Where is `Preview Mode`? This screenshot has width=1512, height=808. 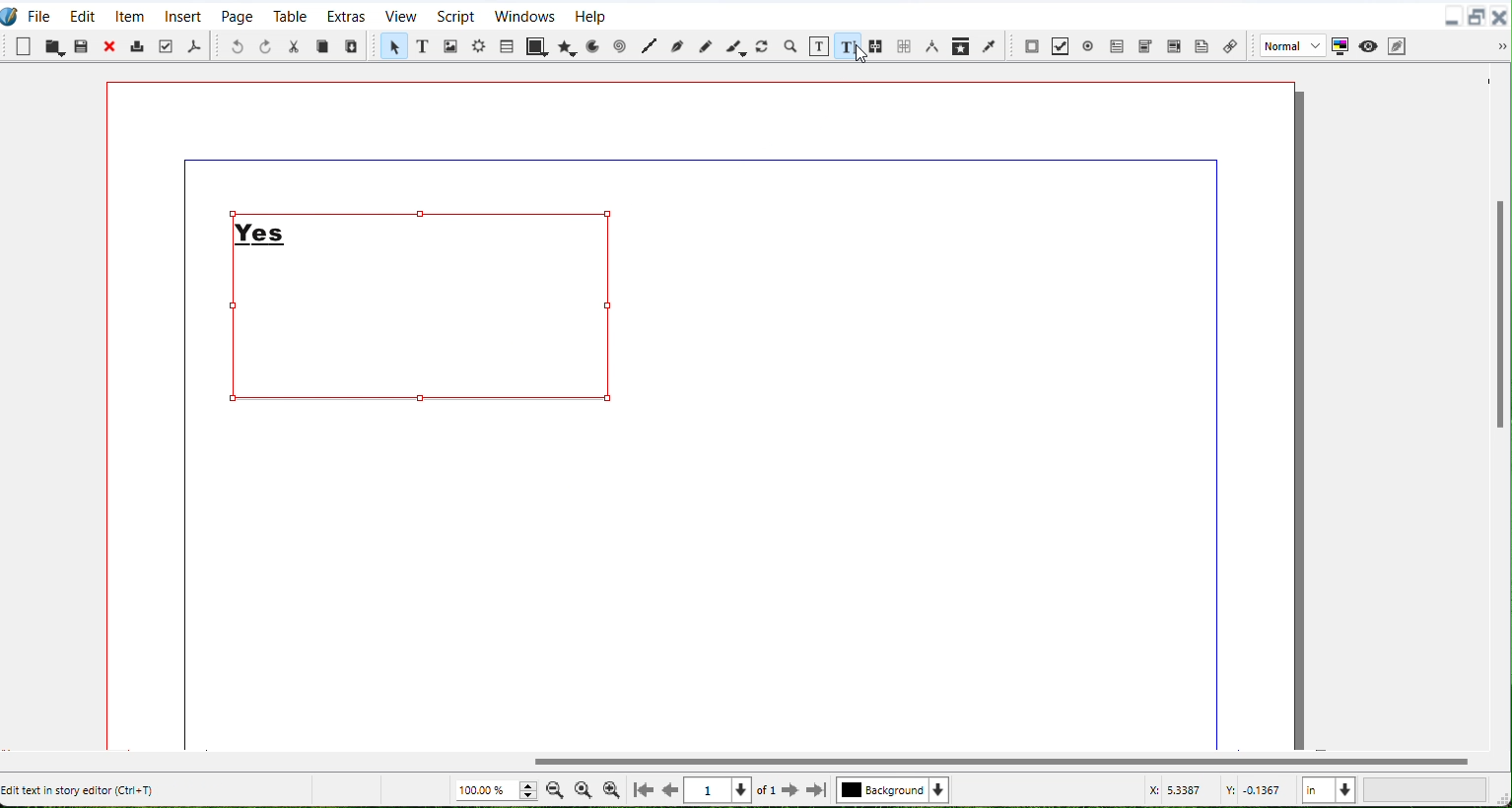
Preview Mode is located at coordinates (1368, 45).